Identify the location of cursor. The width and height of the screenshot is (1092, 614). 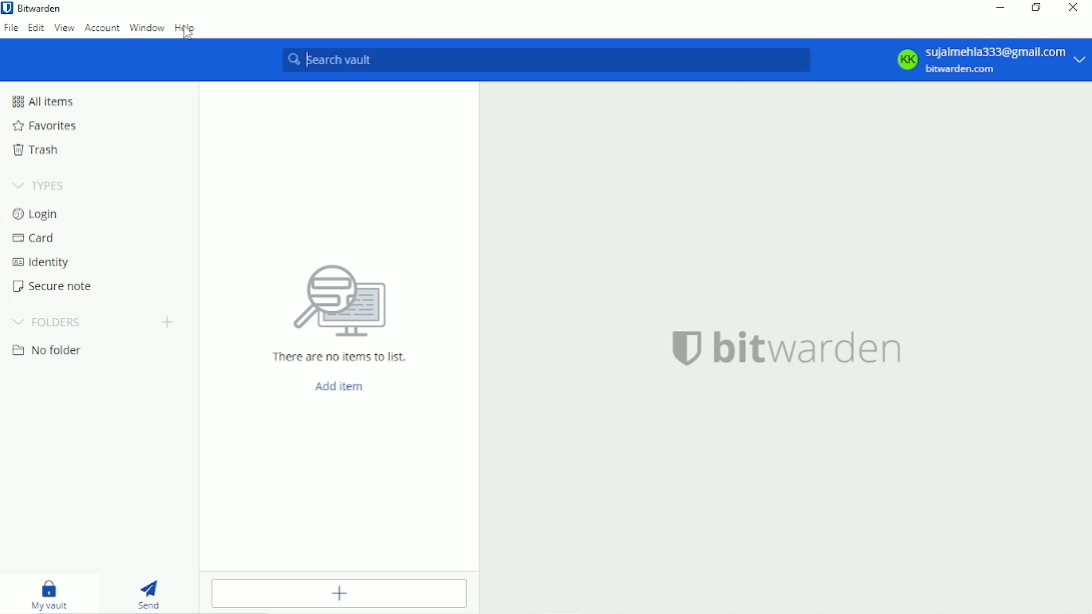
(189, 36).